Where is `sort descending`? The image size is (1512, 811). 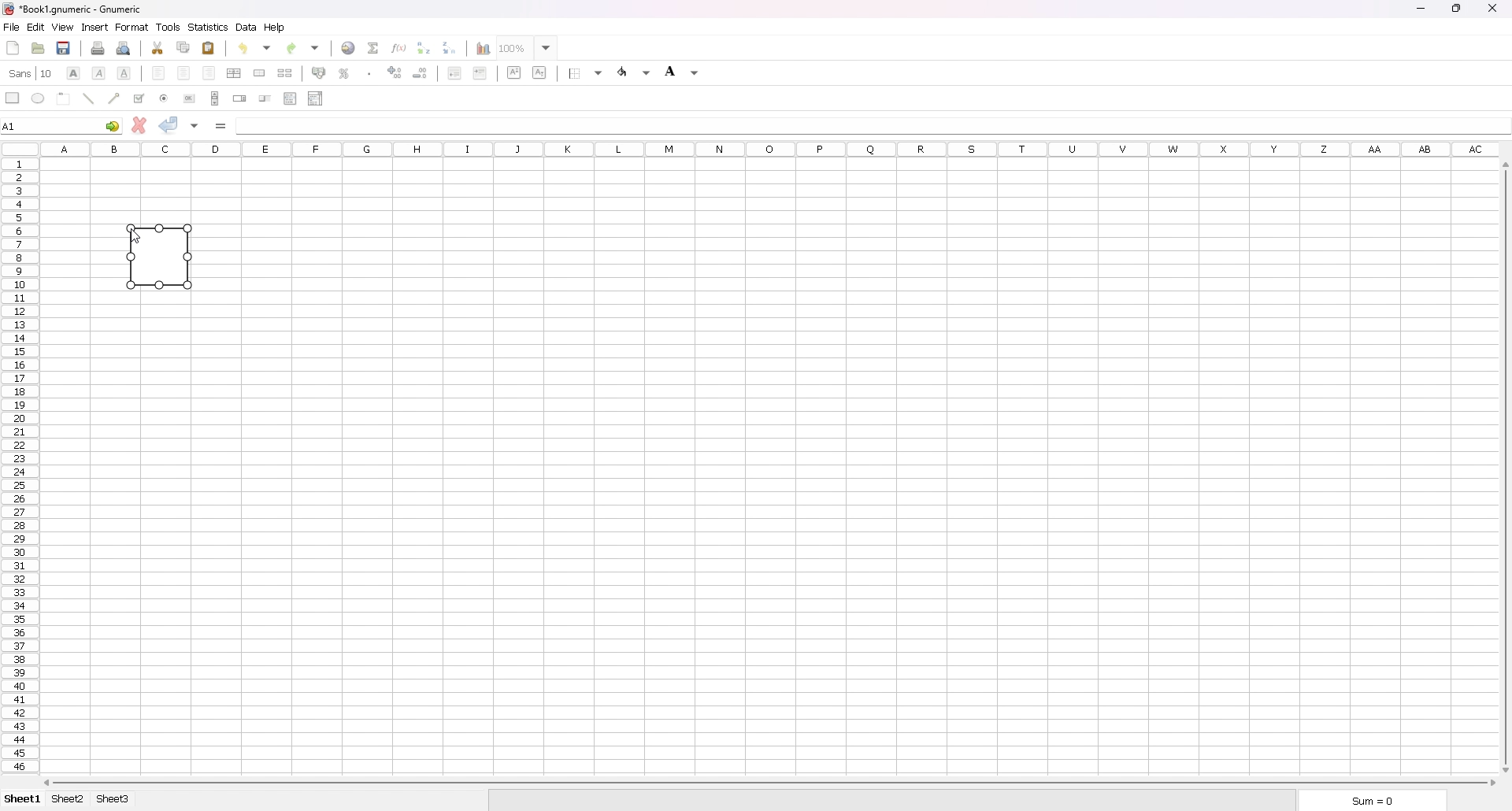
sort descending is located at coordinates (449, 47).